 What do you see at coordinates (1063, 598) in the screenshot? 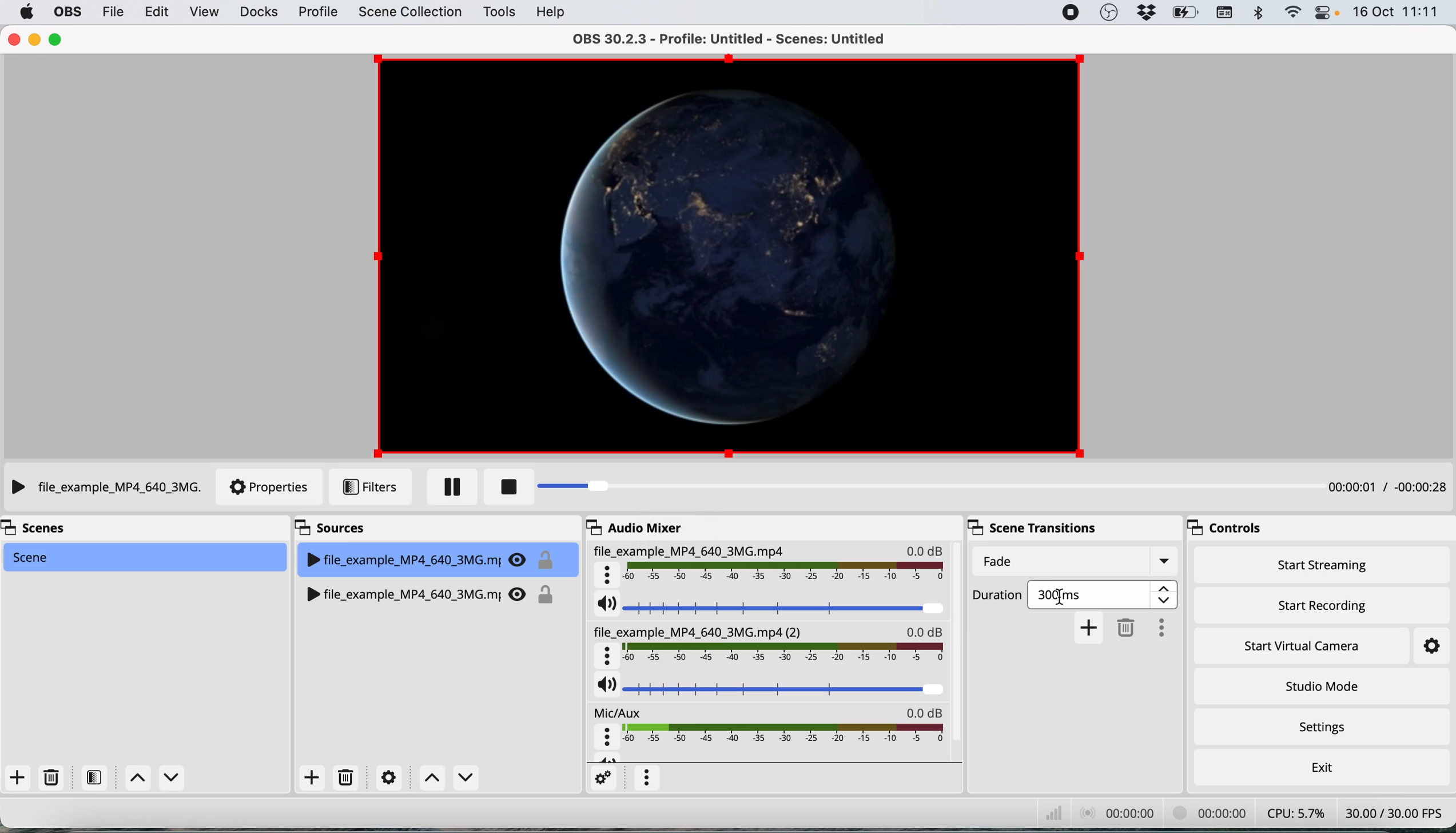
I see `start to select current transition duration` at bounding box center [1063, 598].